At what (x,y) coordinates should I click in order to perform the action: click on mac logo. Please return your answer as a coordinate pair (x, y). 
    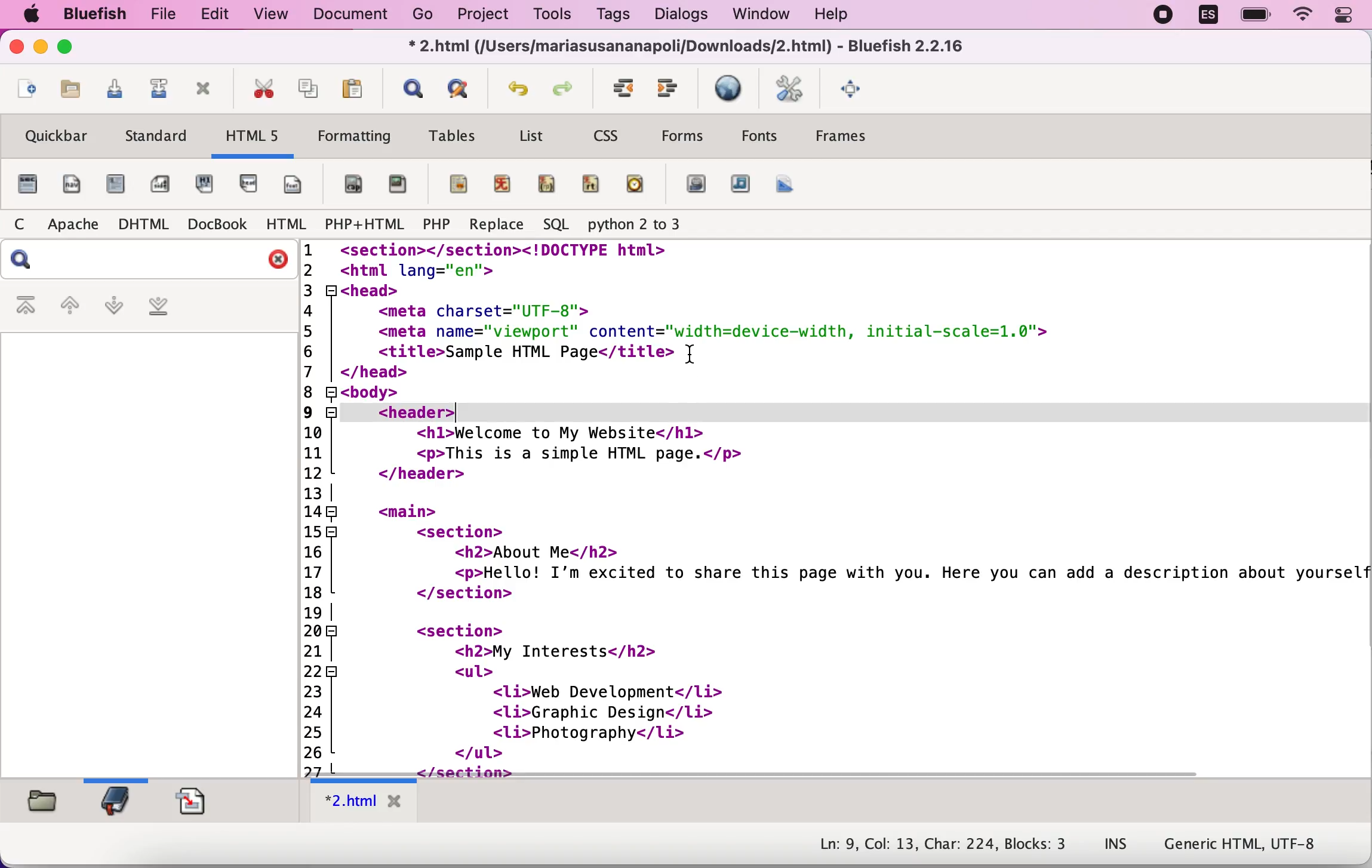
    Looking at the image, I should click on (33, 14).